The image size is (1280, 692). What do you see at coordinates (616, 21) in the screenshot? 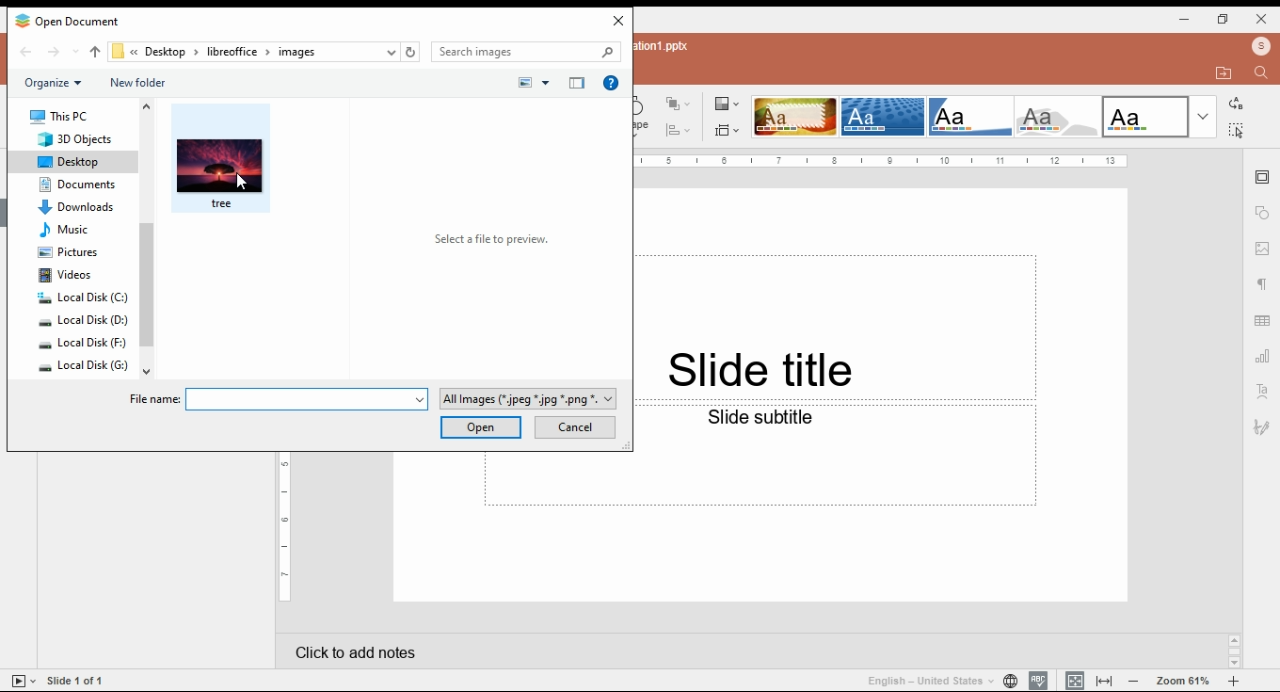
I see `close window` at bounding box center [616, 21].